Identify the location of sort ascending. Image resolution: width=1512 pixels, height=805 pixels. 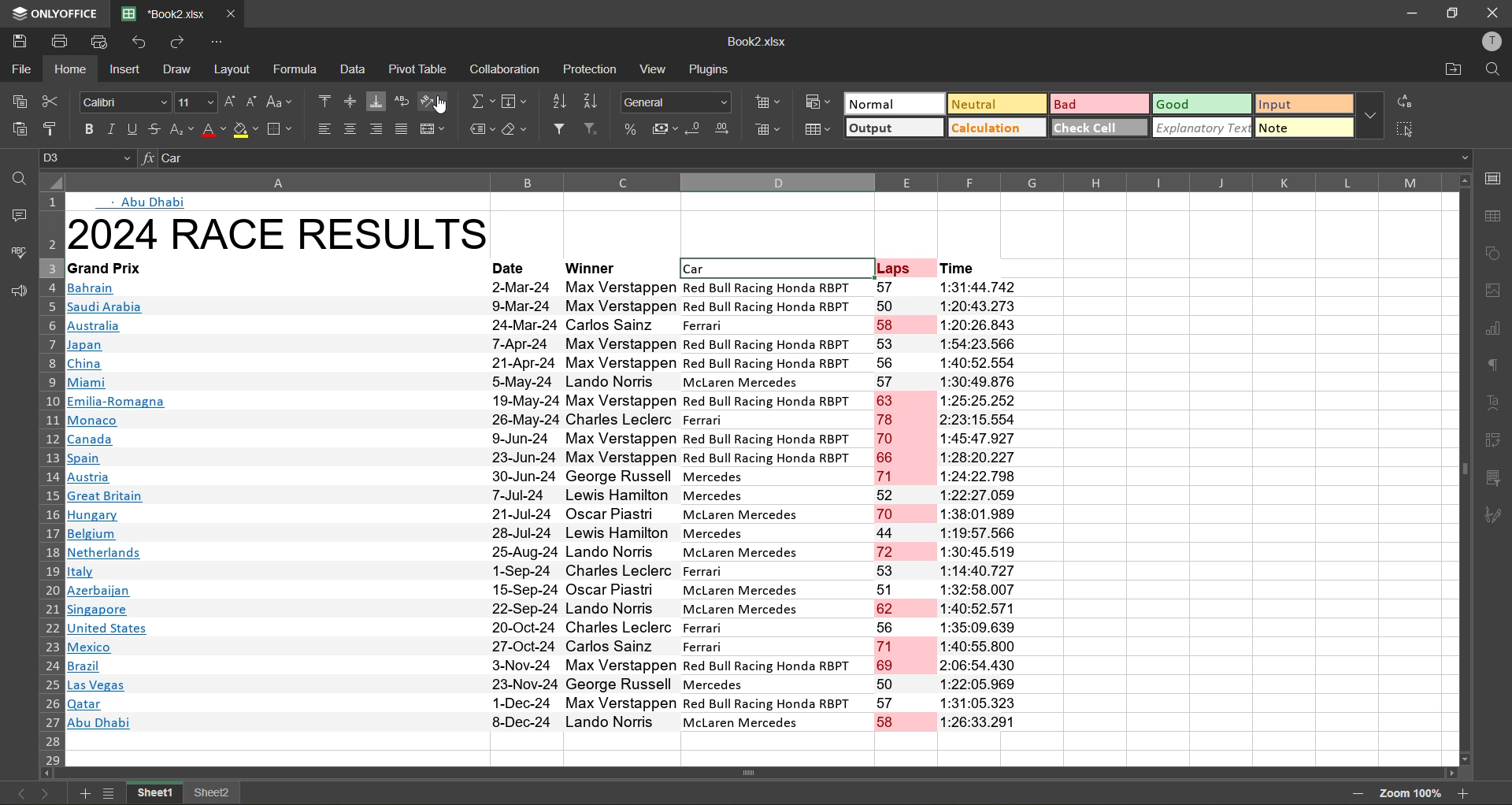
(561, 103).